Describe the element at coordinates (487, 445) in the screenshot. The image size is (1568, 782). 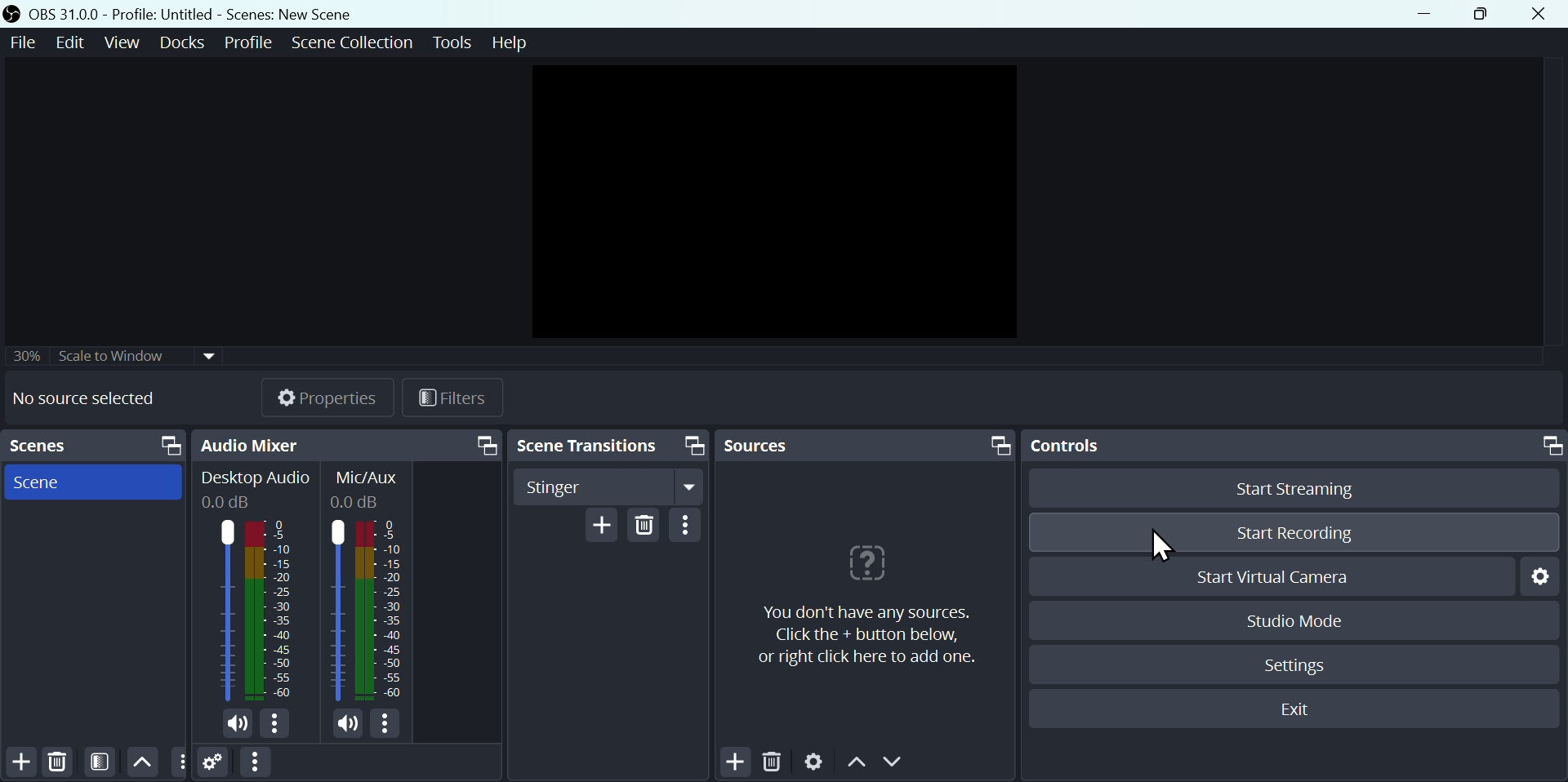
I see `maximize` at that location.